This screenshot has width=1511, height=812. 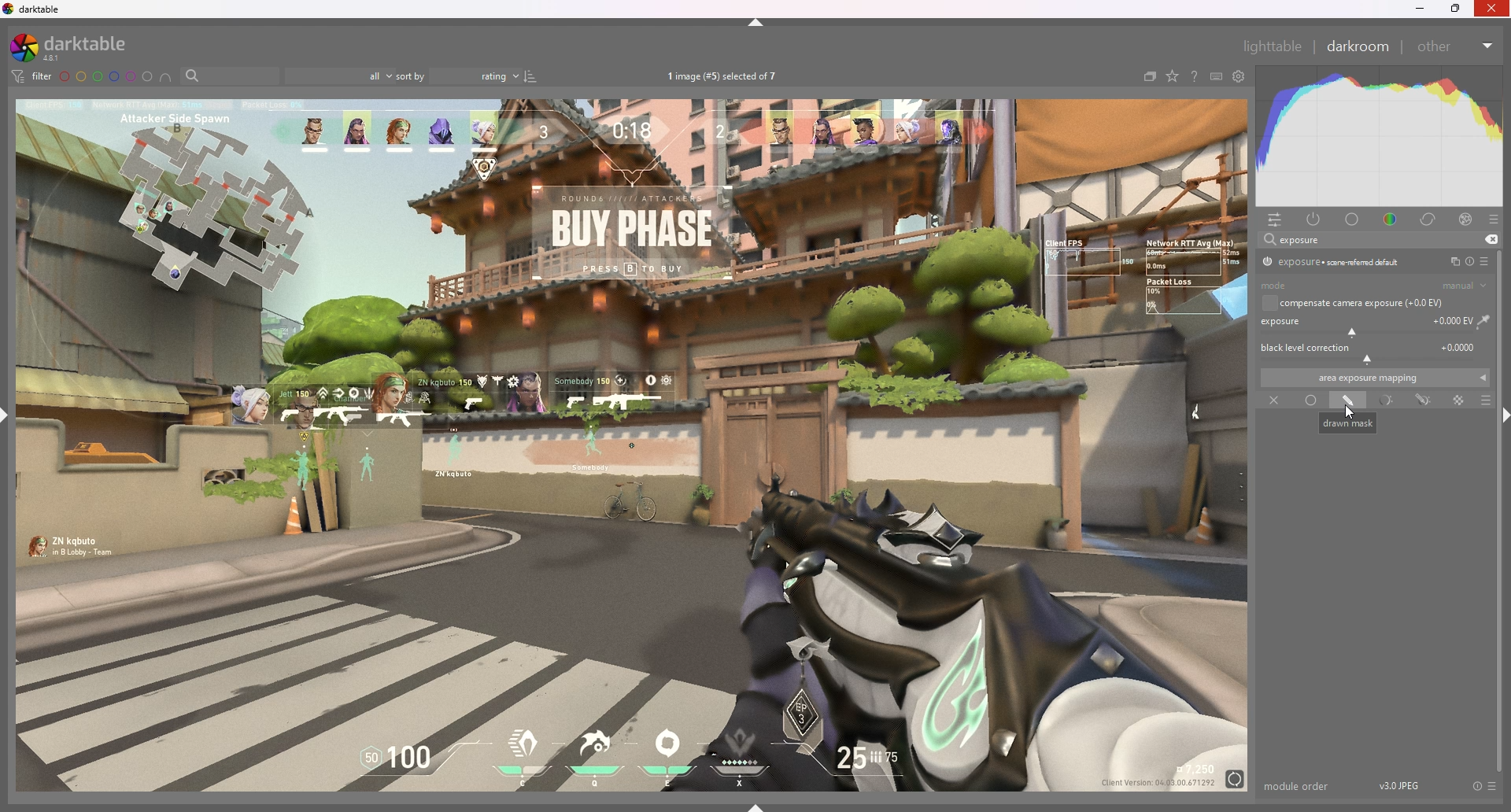 I want to click on scroll bar, so click(x=1505, y=578).